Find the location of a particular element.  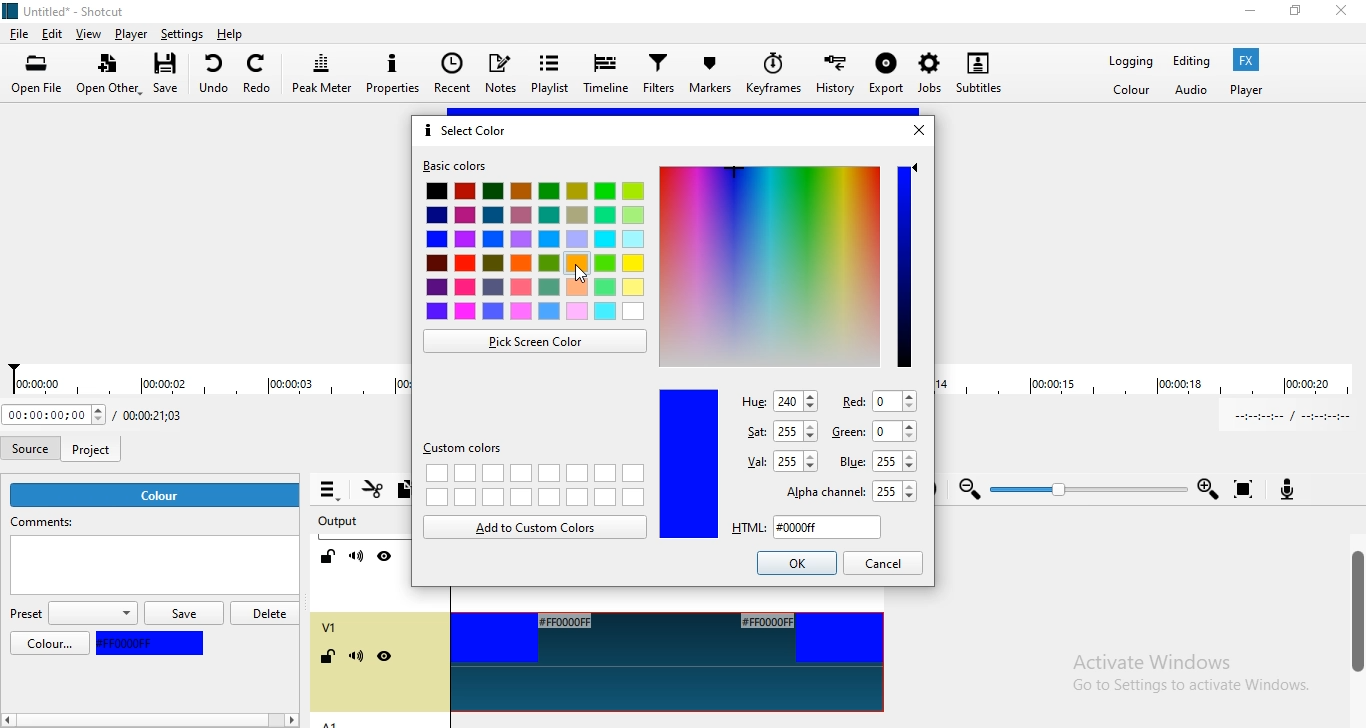

color boxes is located at coordinates (535, 255).